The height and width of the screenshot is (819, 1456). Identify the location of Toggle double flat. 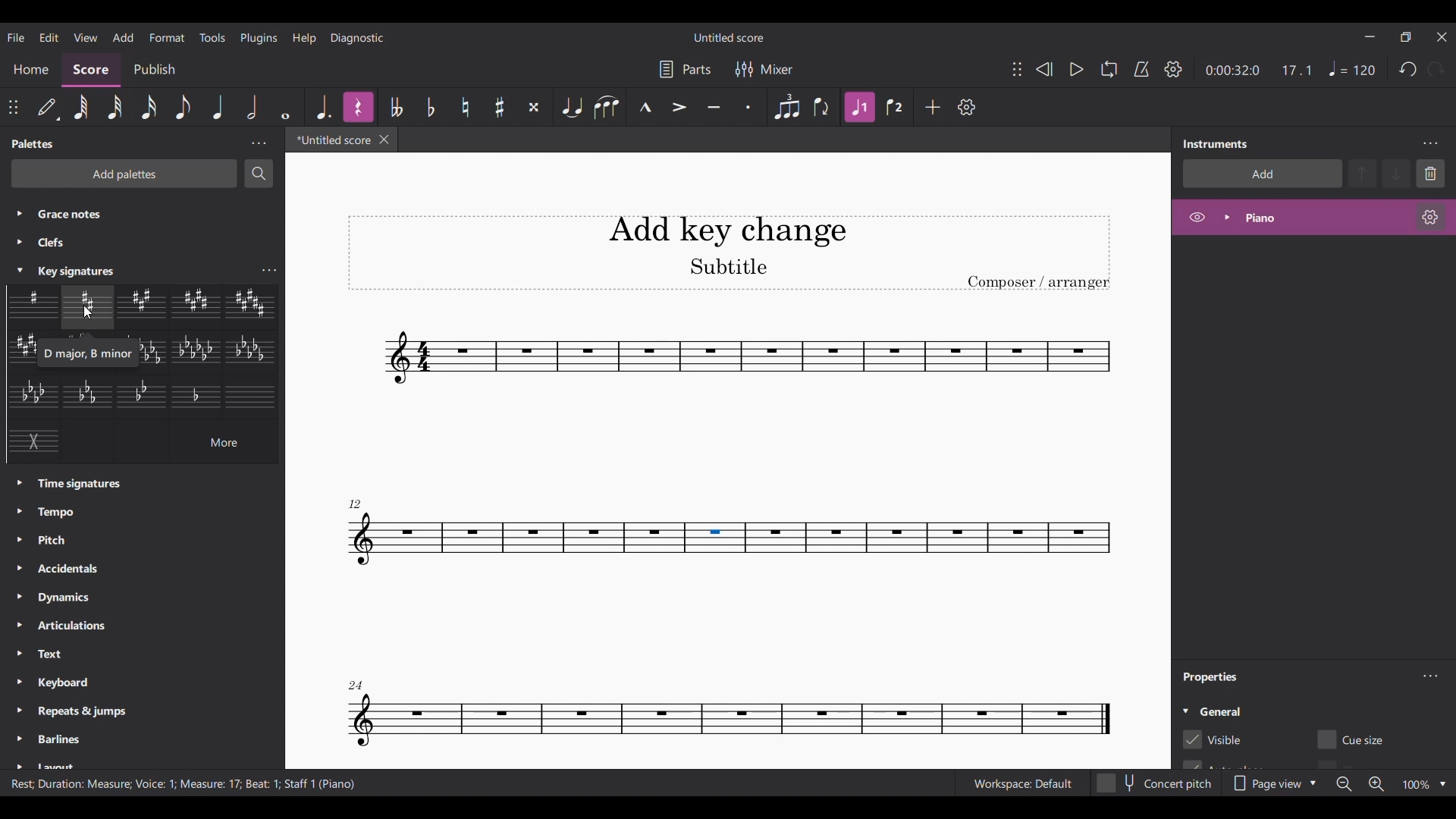
(396, 106).